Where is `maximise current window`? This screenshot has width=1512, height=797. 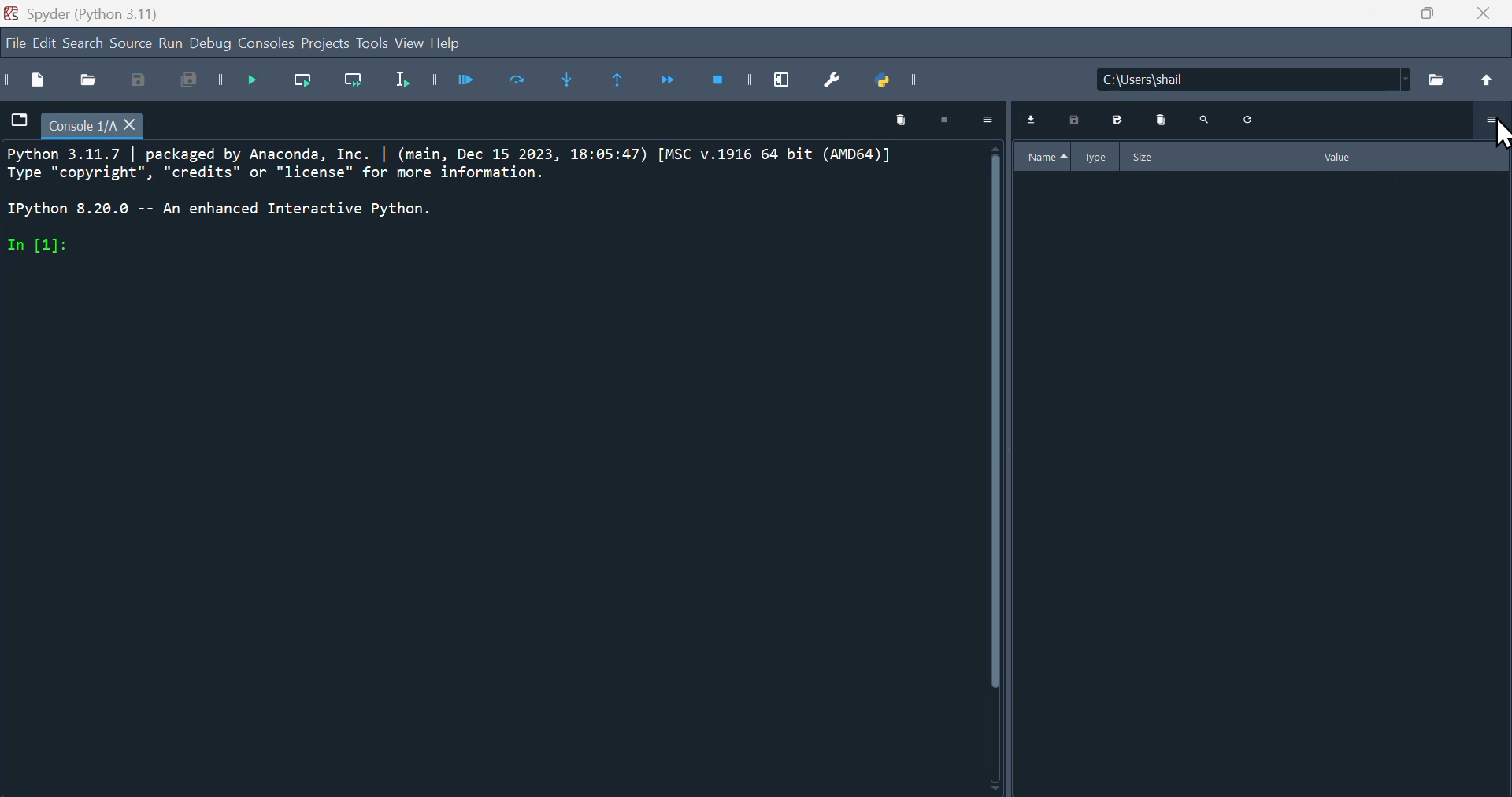
maximise current window is located at coordinates (787, 78).